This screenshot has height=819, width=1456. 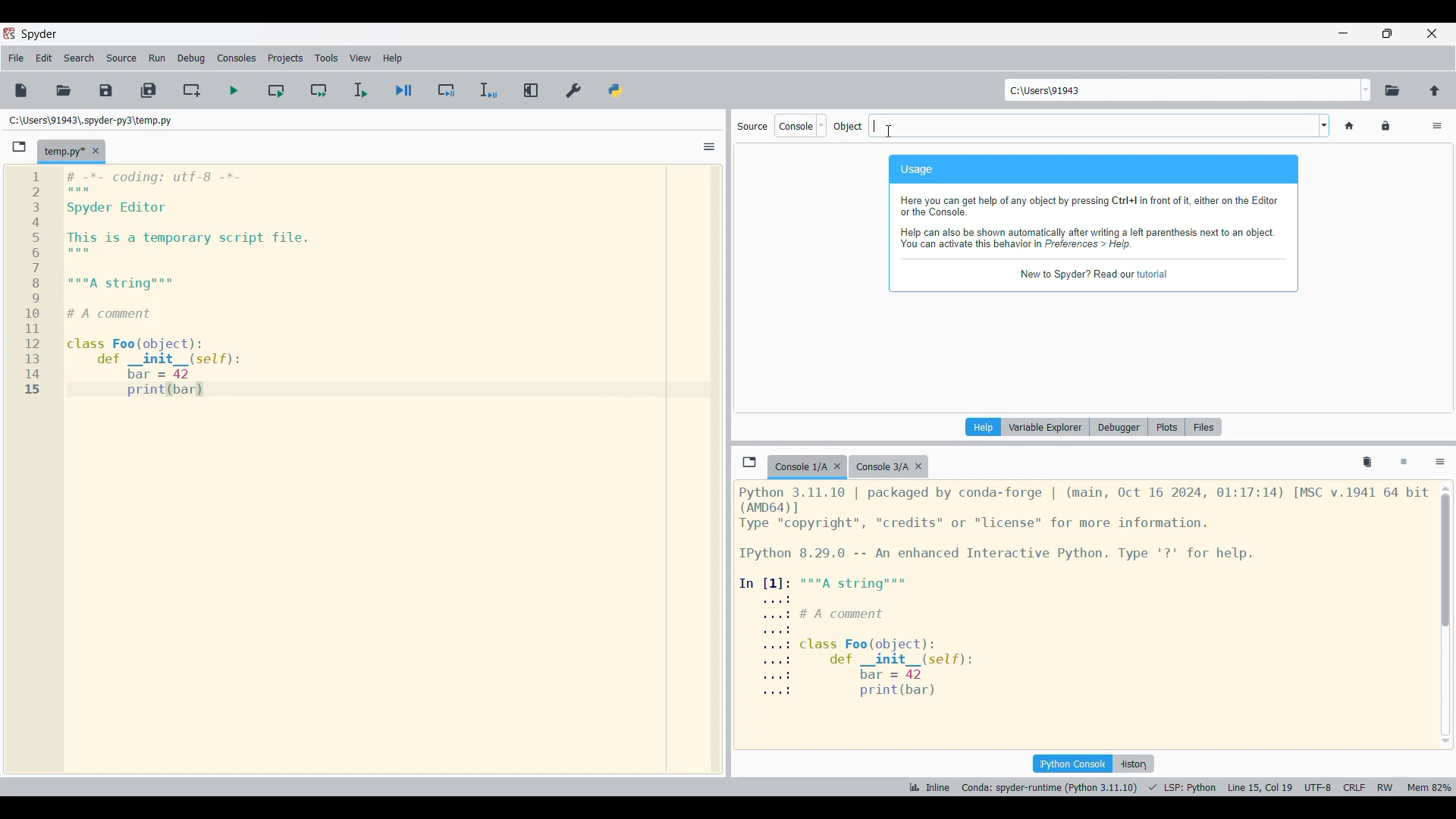 What do you see at coordinates (63, 90) in the screenshot?
I see `Open file` at bounding box center [63, 90].